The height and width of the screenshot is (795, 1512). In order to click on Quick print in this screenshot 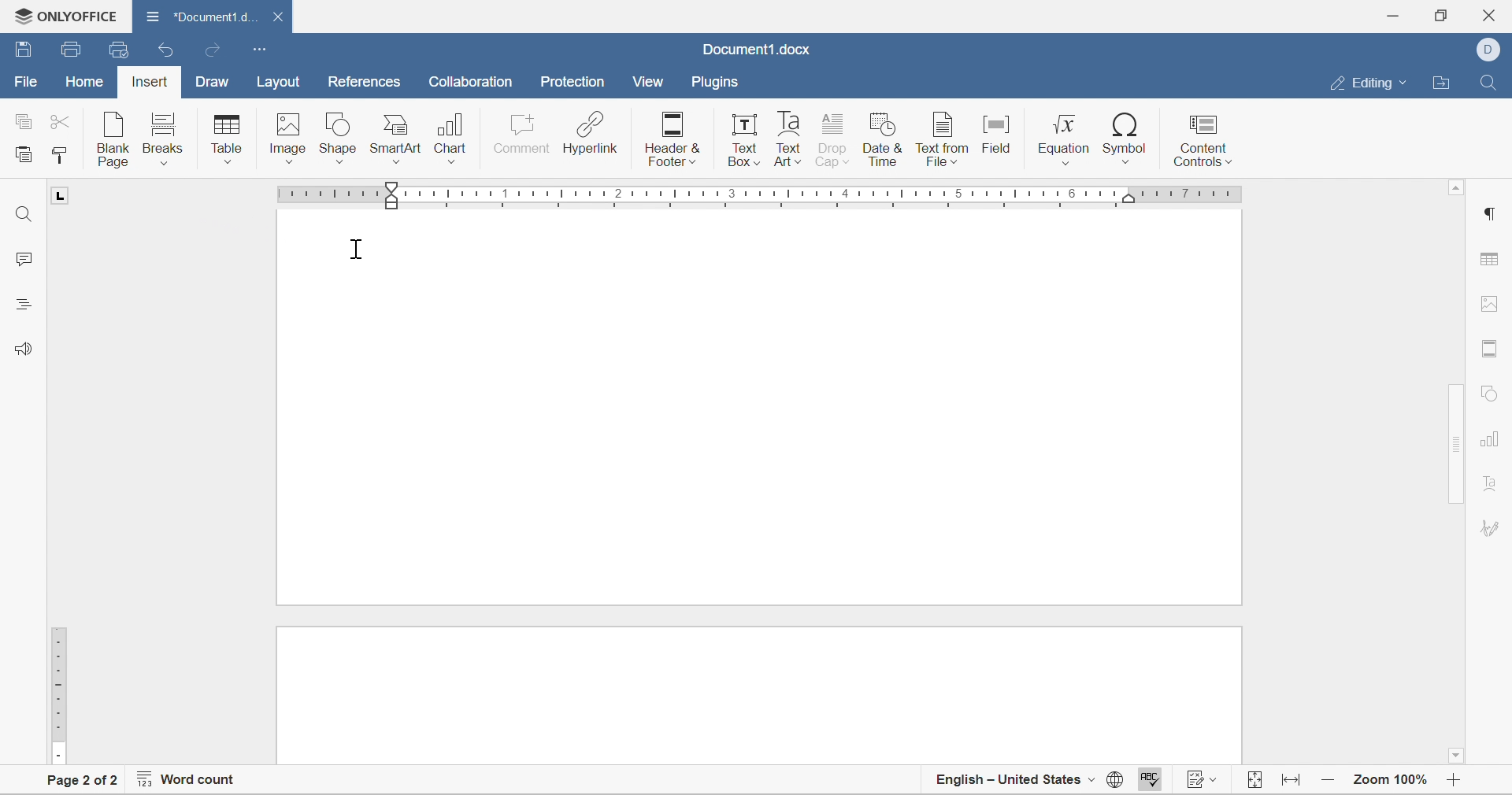, I will do `click(117, 47)`.